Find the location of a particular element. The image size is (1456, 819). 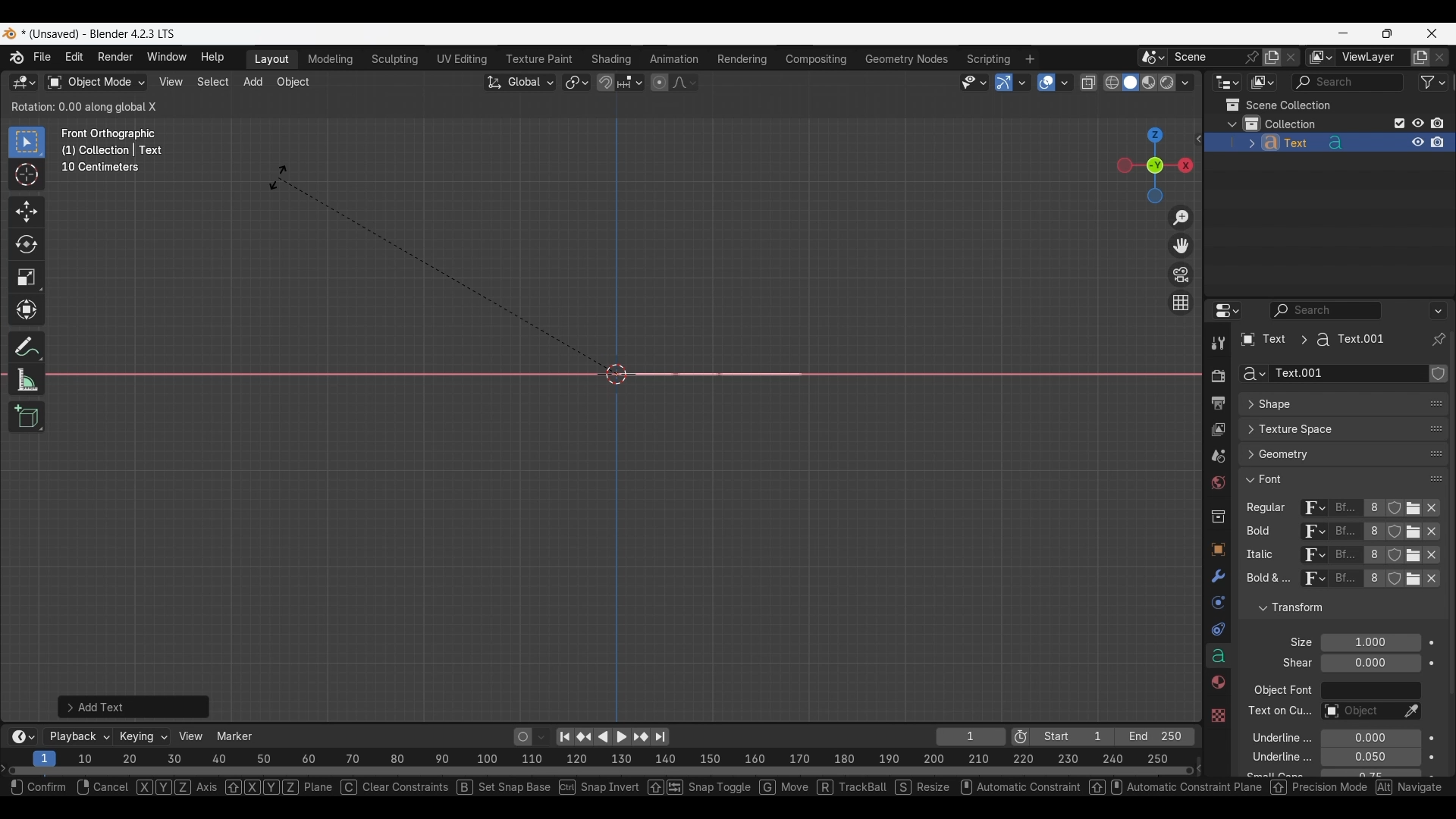

Display filter is located at coordinates (1326, 310).